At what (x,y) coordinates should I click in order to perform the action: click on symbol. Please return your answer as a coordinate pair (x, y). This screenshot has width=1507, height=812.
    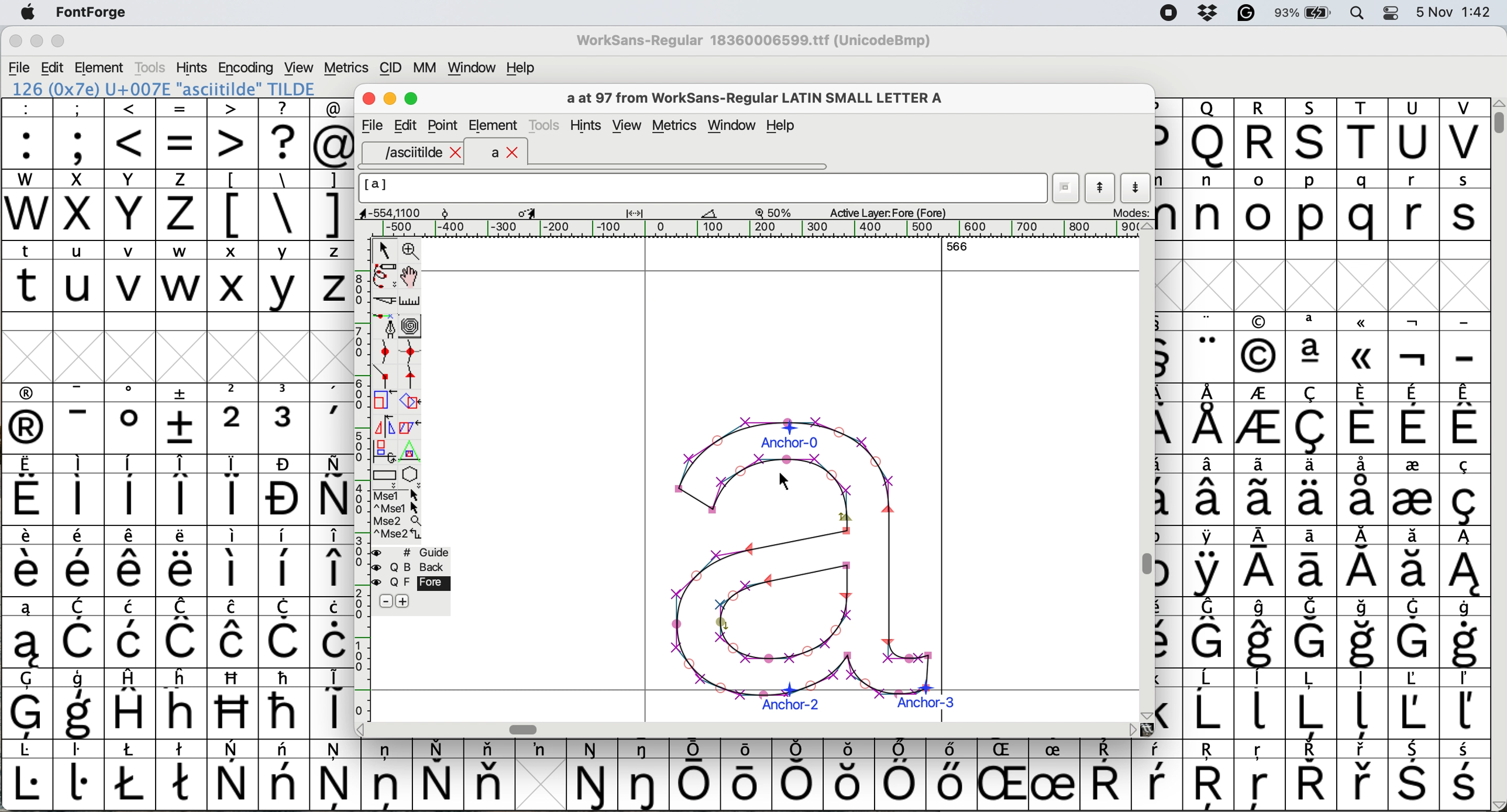
    Looking at the image, I should click on (1414, 776).